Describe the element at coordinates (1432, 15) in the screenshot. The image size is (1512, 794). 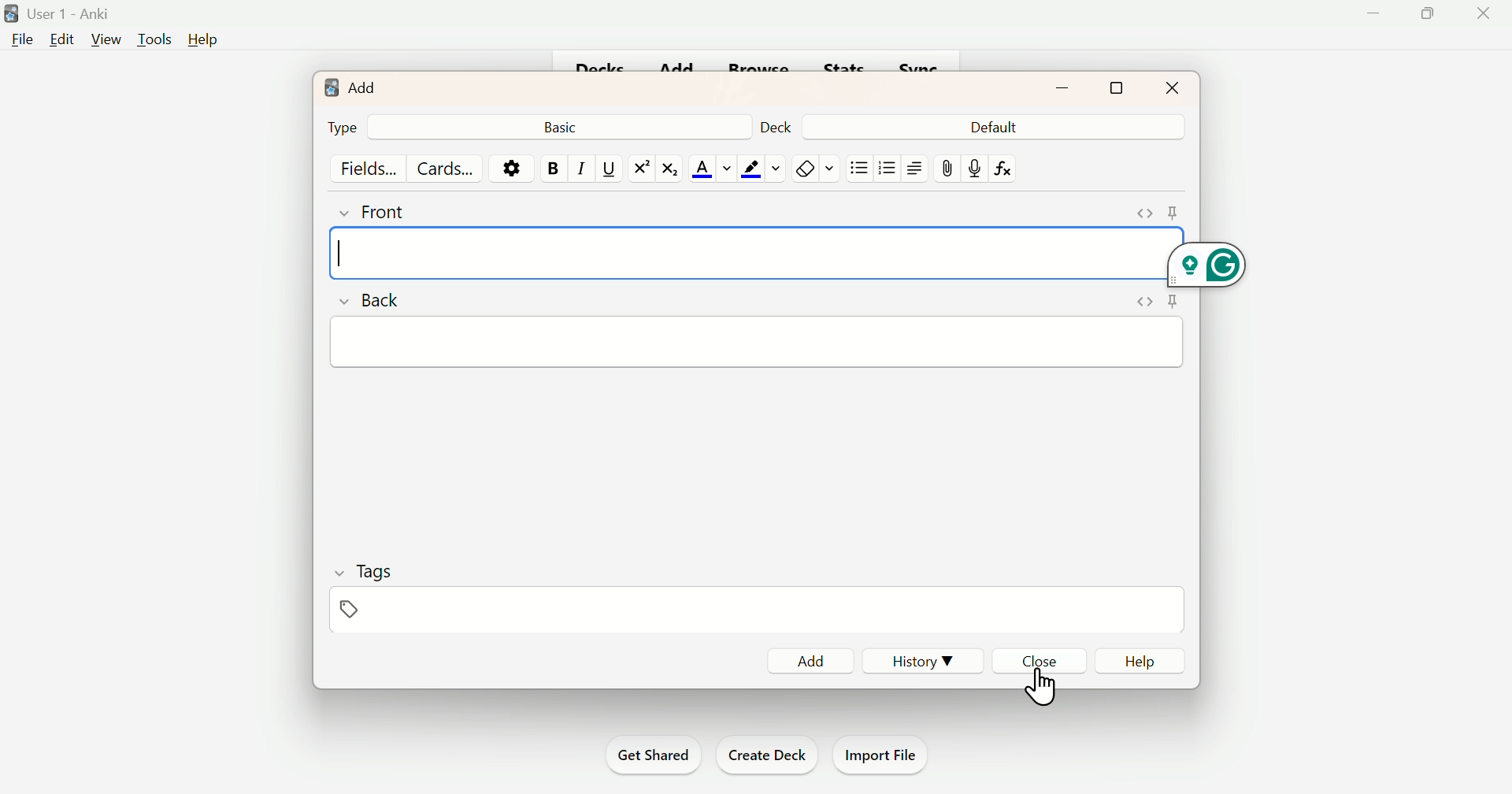
I see `Maximize` at that location.